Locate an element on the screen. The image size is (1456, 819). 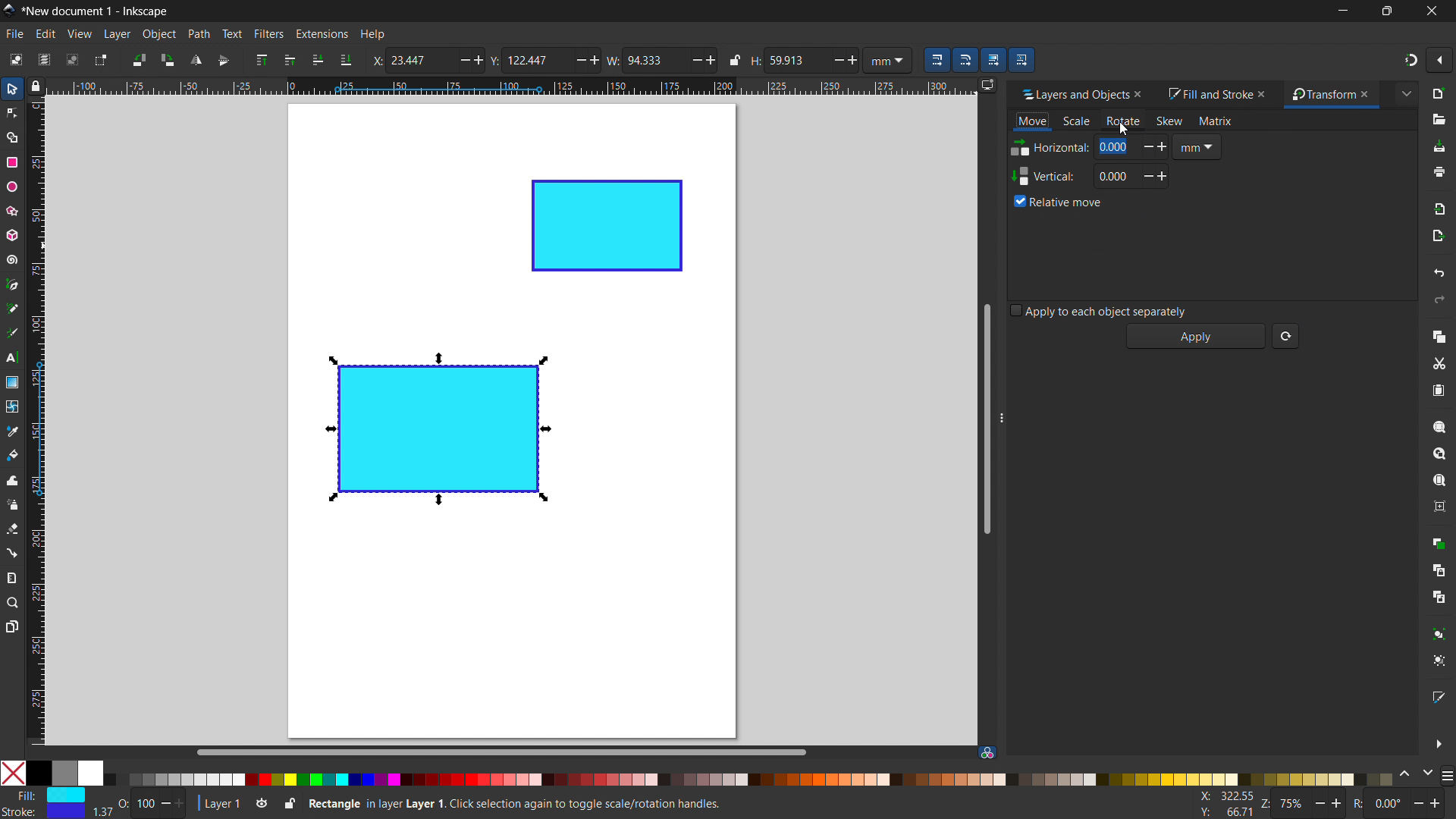
help is located at coordinates (372, 35).